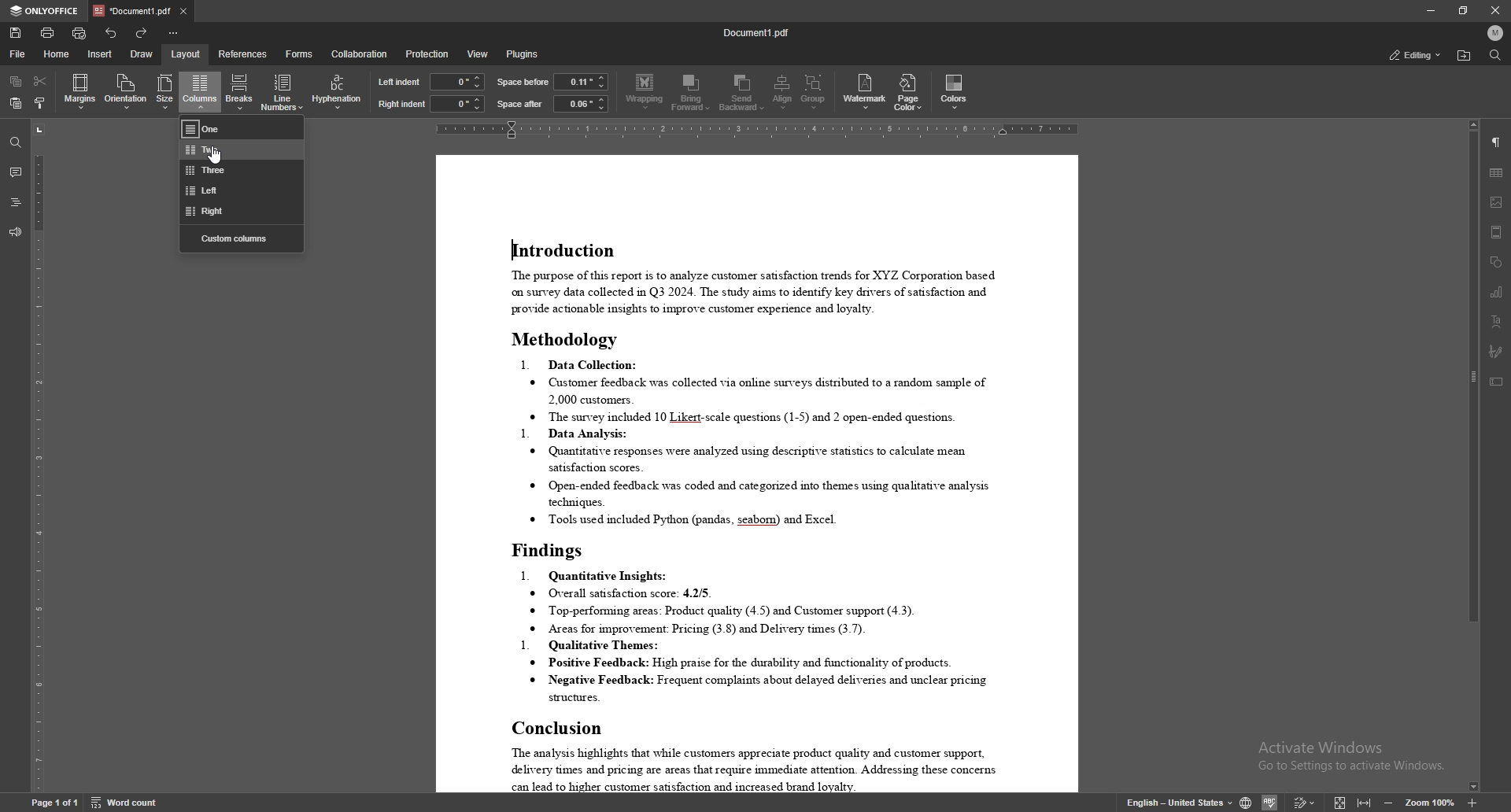  Describe the element at coordinates (16, 81) in the screenshot. I see `copy` at that location.